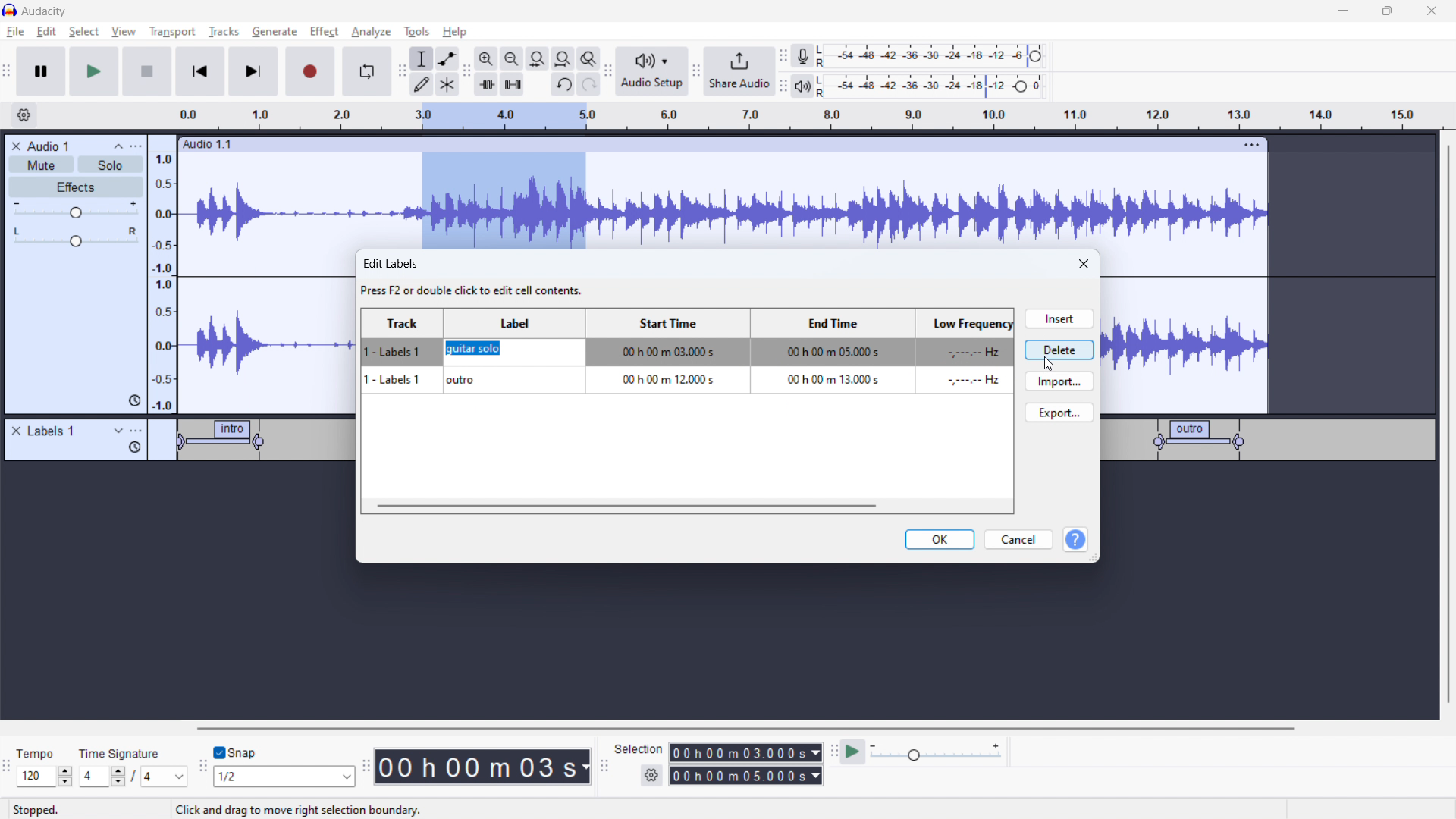 Image resolution: width=1456 pixels, height=819 pixels. I want to click on zoom out, so click(511, 58).